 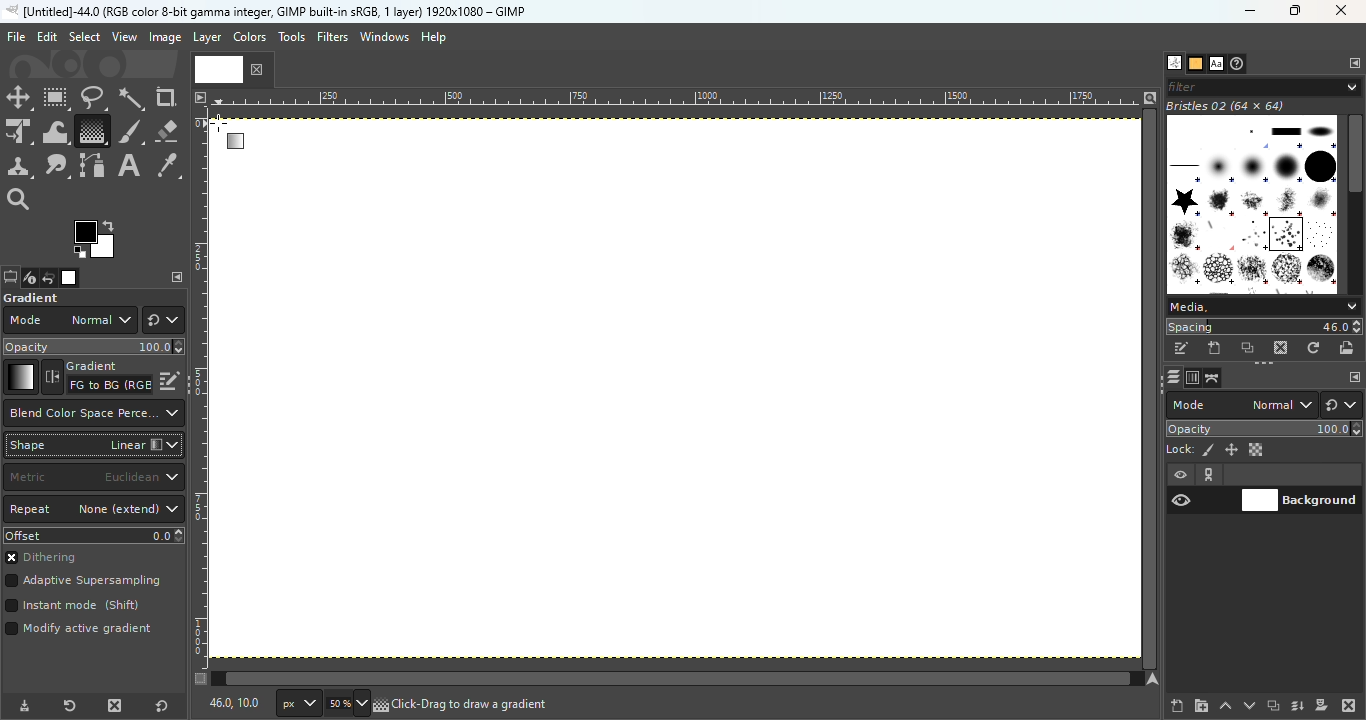 I want to click on Delete tool preset, so click(x=110, y=706).